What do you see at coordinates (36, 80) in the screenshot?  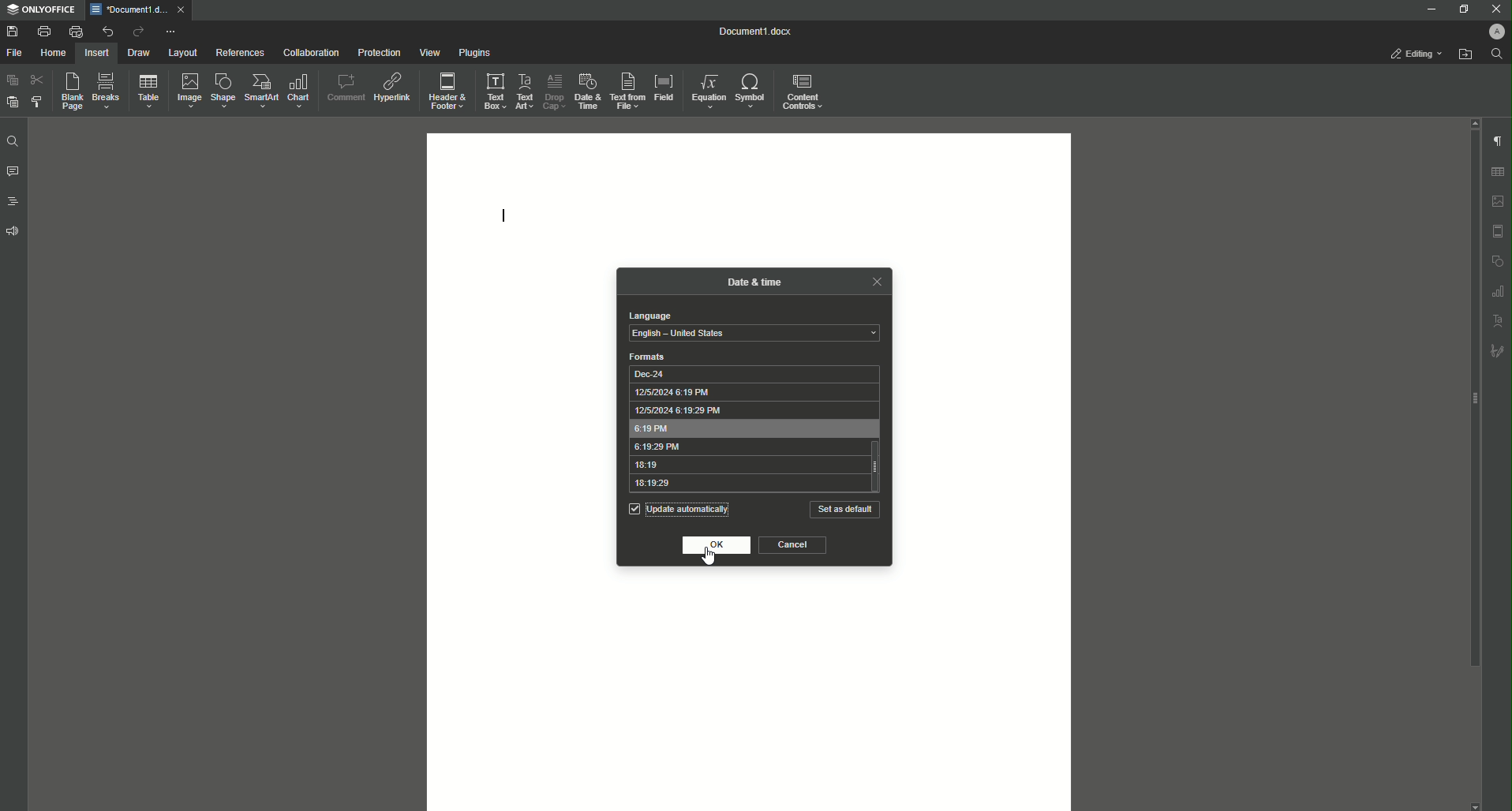 I see `Cut` at bounding box center [36, 80].